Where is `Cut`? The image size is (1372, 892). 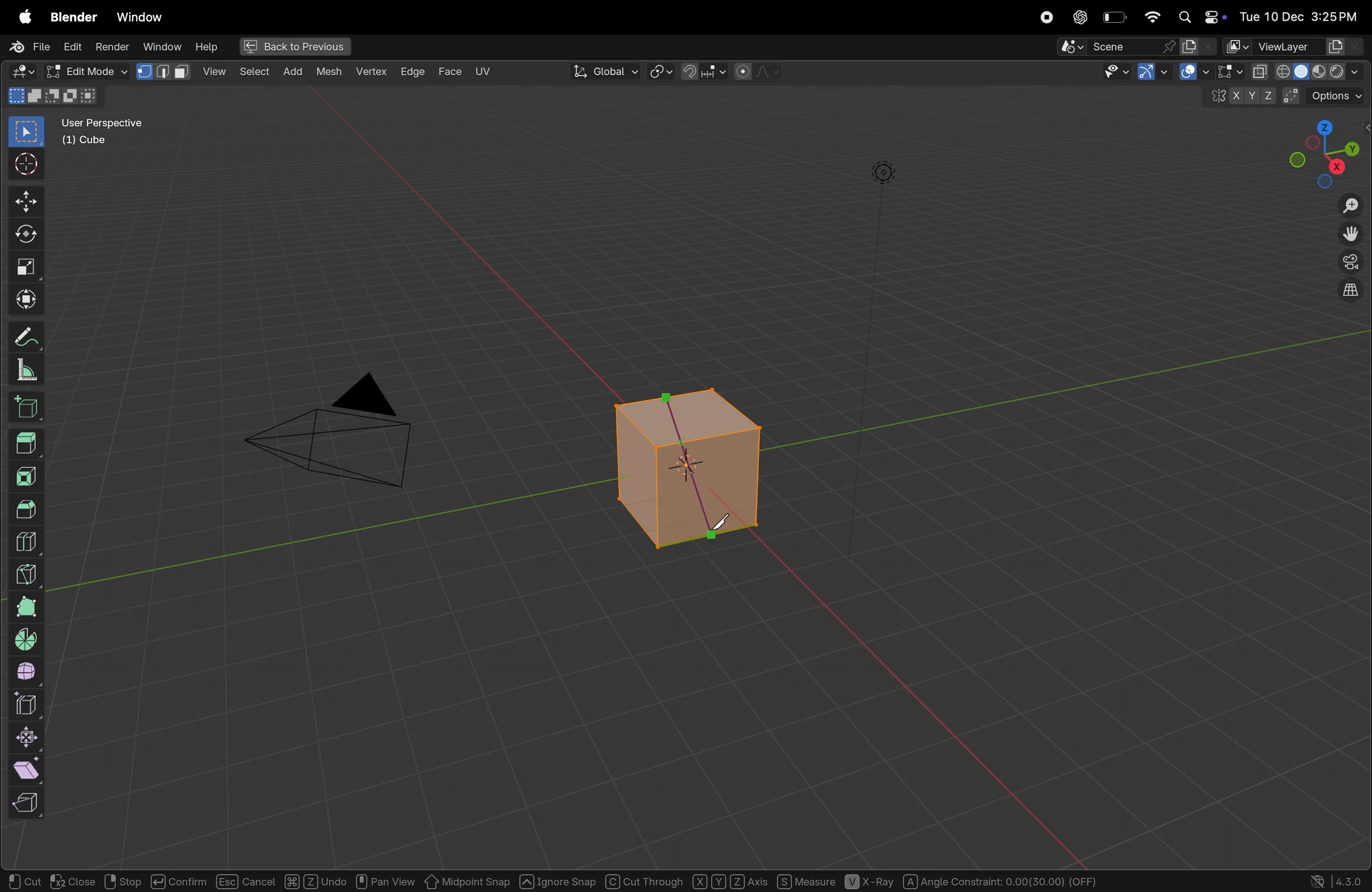
Cut is located at coordinates (25, 881).